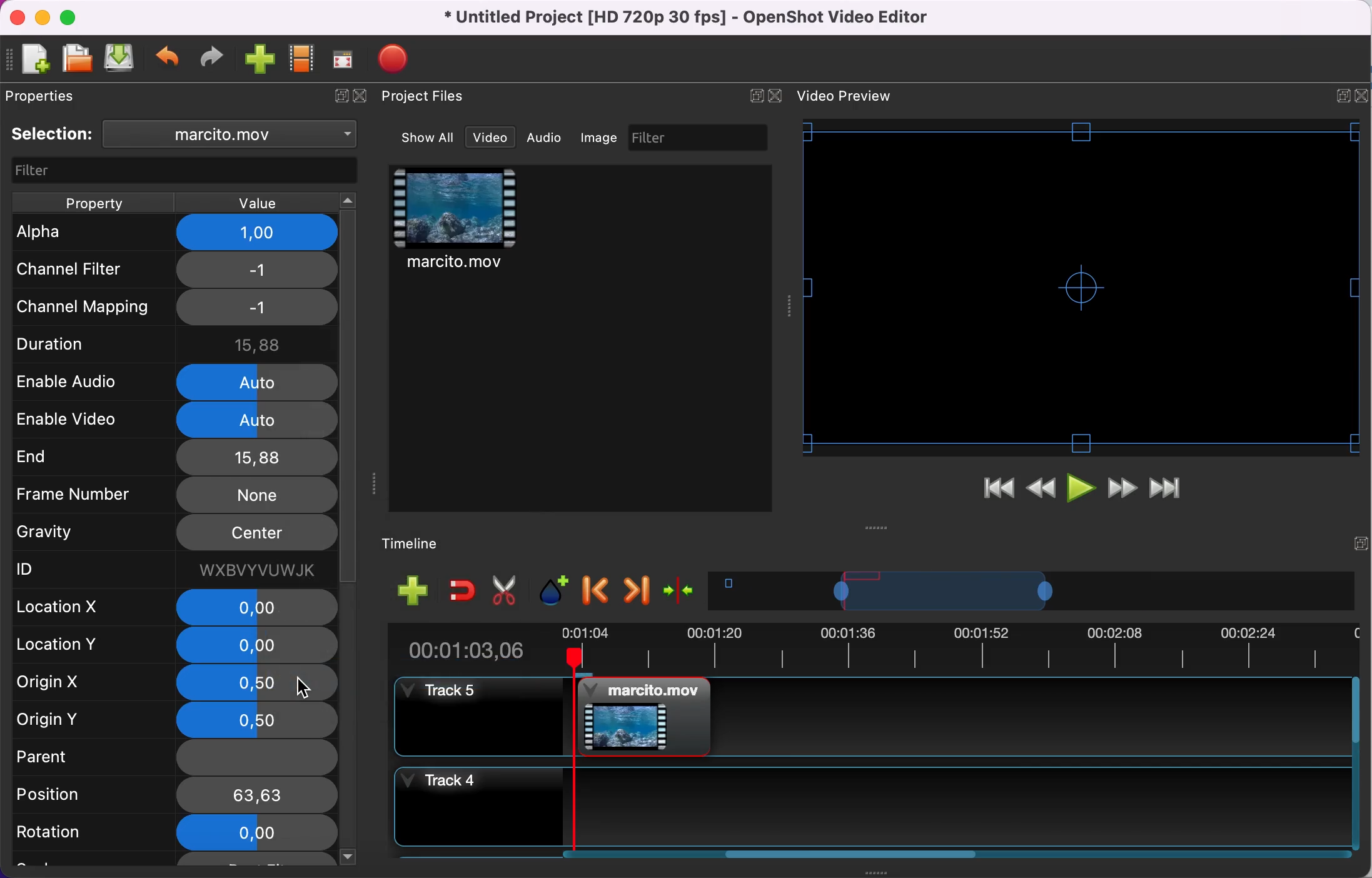 This screenshot has height=878, width=1372. Describe the element at coordinates (186, 171) in the screenshot. I see `filter` at that location.